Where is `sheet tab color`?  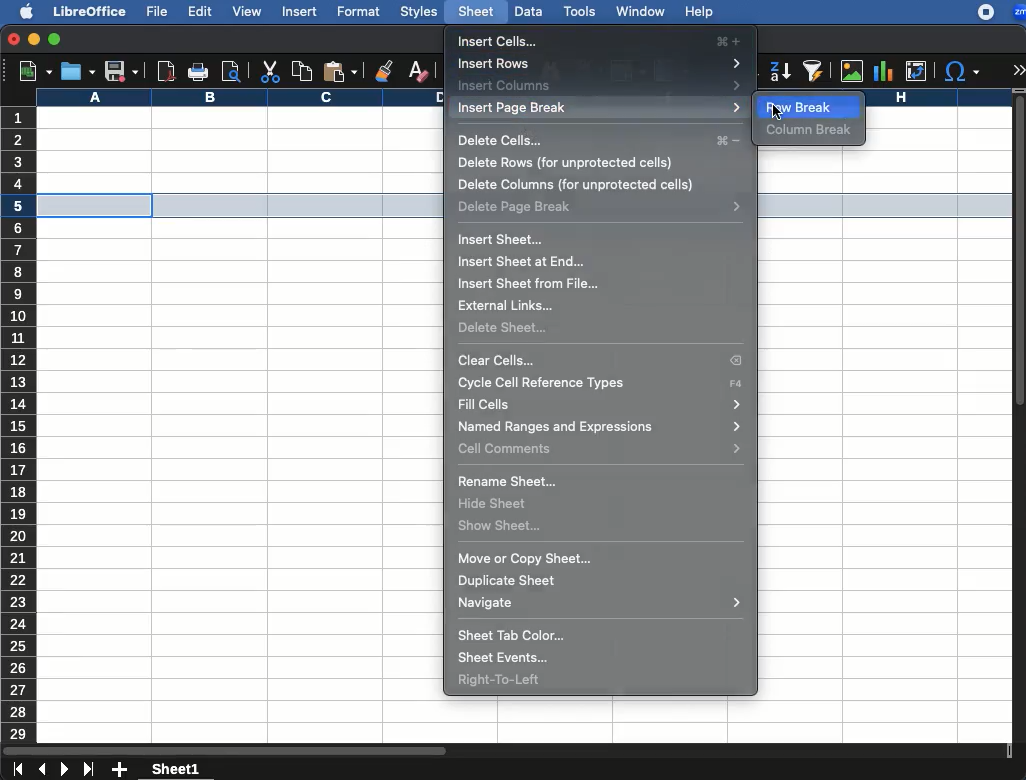 sheet tab color is located at coordinates (515, 635).